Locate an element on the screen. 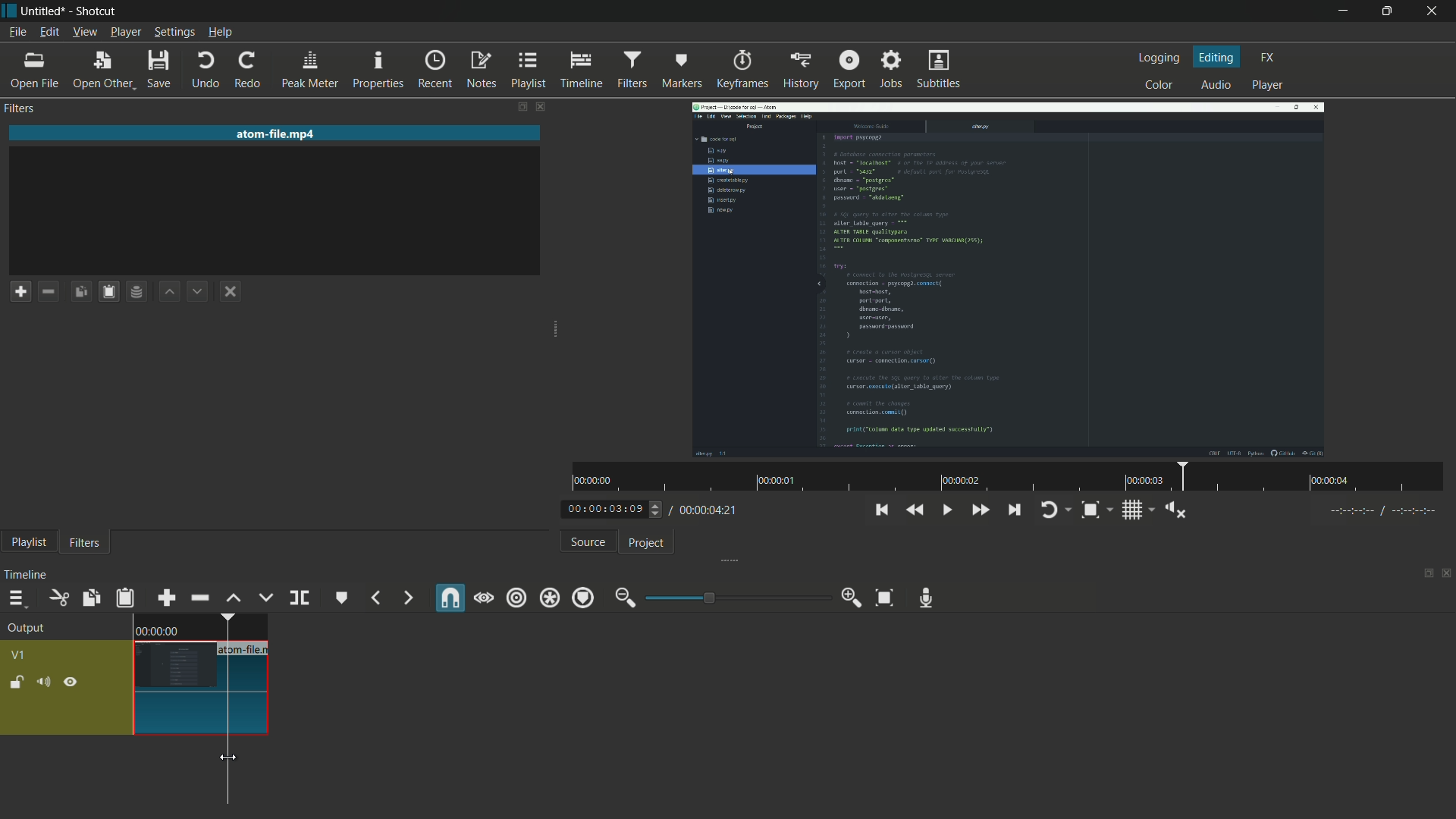  video in timeline is located at coordinates (201, 675).